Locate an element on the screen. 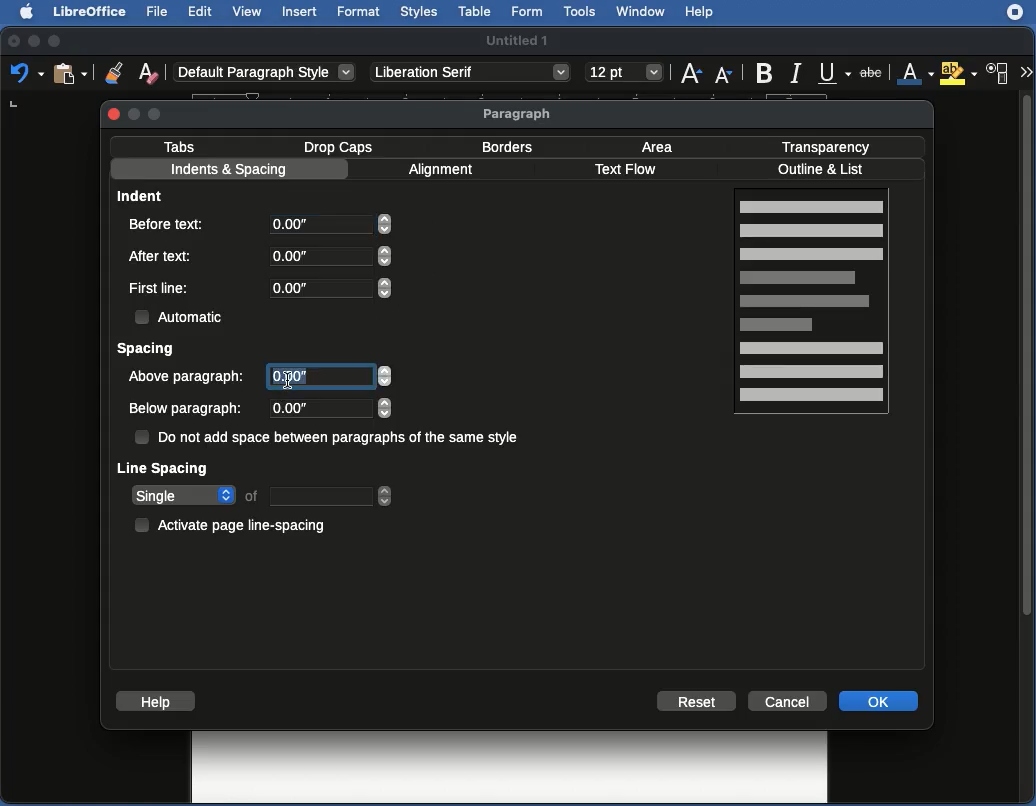 Image resolution: width=1036 pixels, height=806 pixels. Automatic is located at coordinates (181, 315).